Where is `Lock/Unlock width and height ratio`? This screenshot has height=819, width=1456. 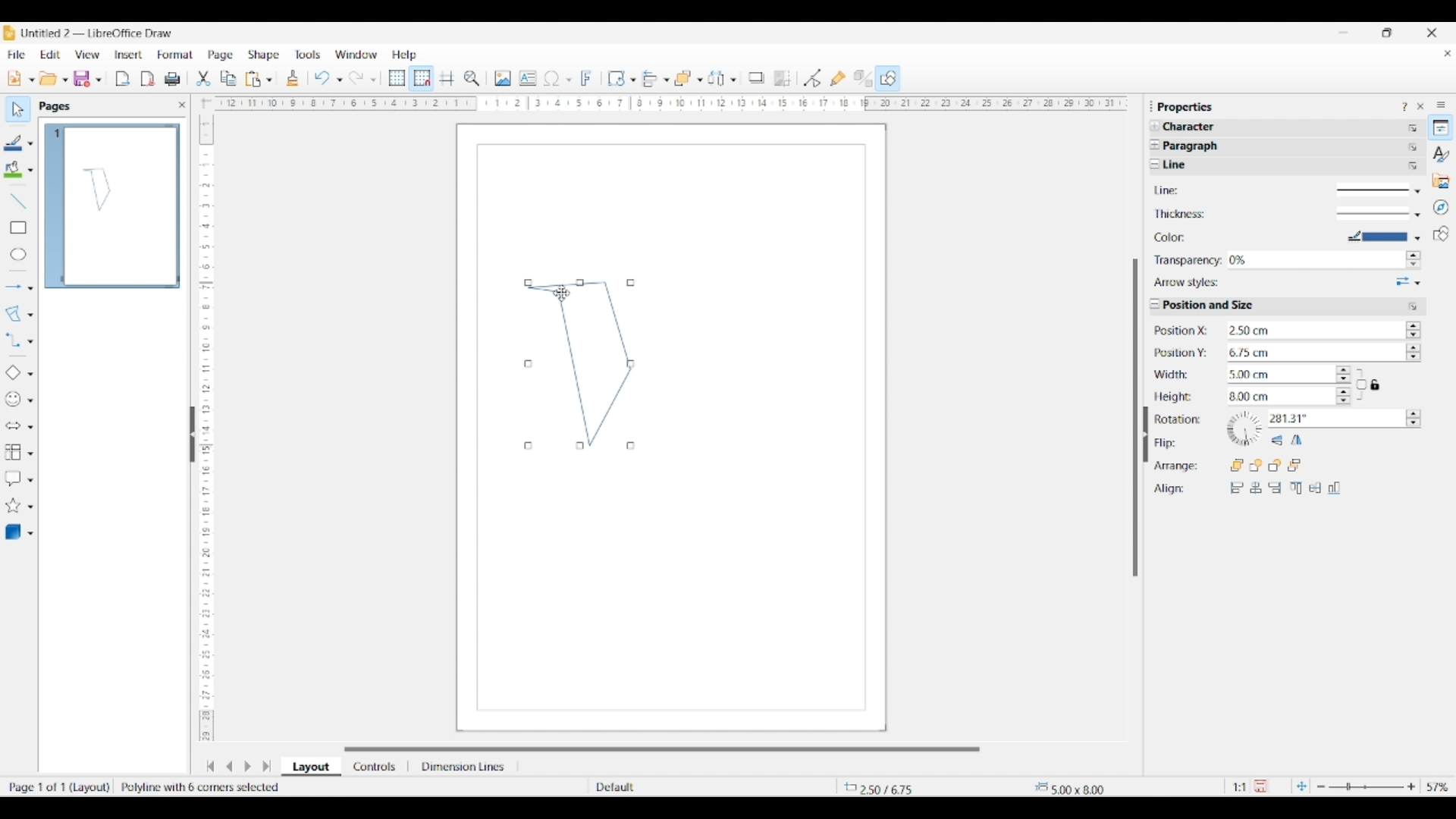 Lock/Unlock width and height ratio is located at coordinates (1376, 384).